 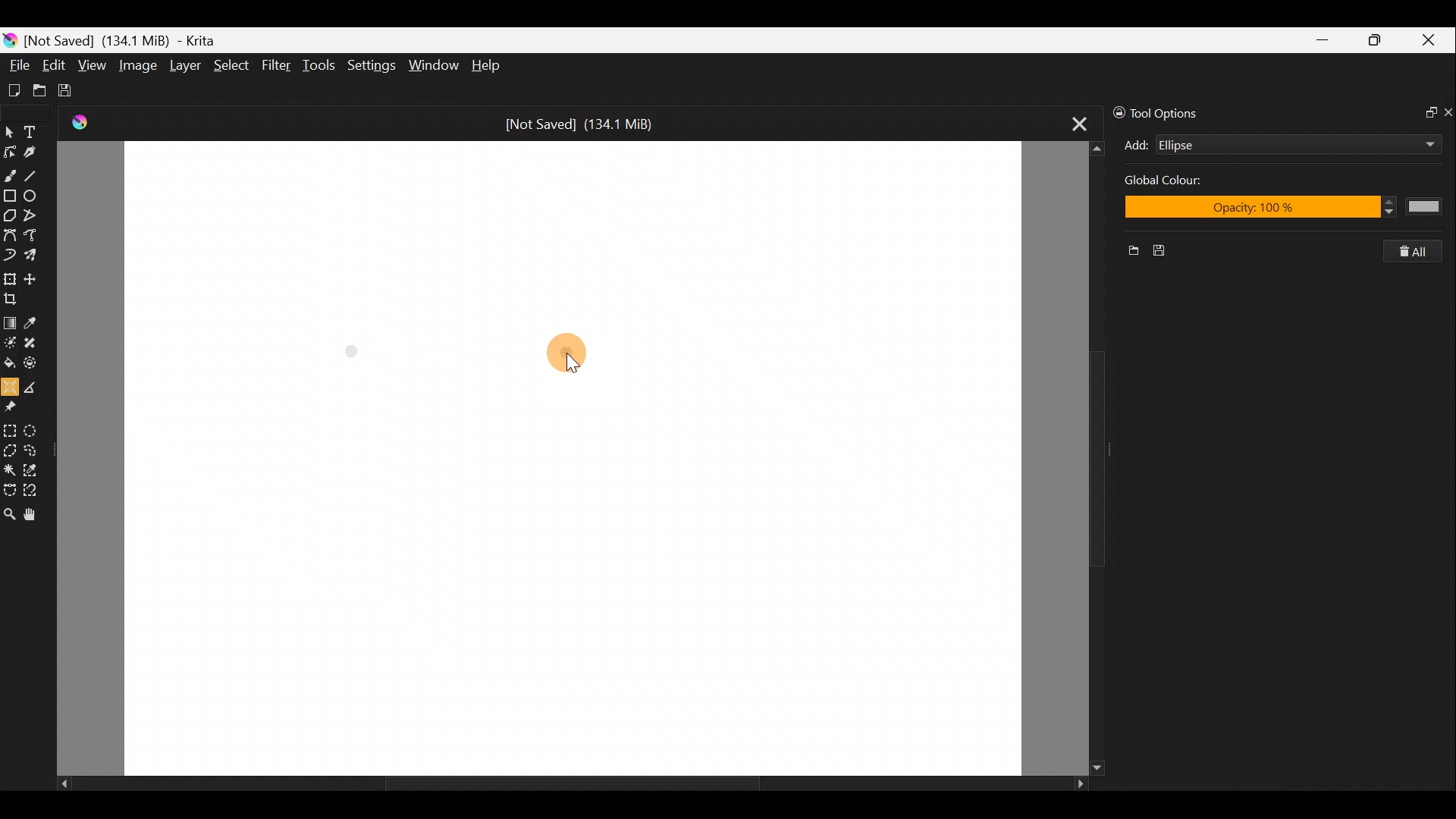 I want to click on Line, so click(x=37, y=175).